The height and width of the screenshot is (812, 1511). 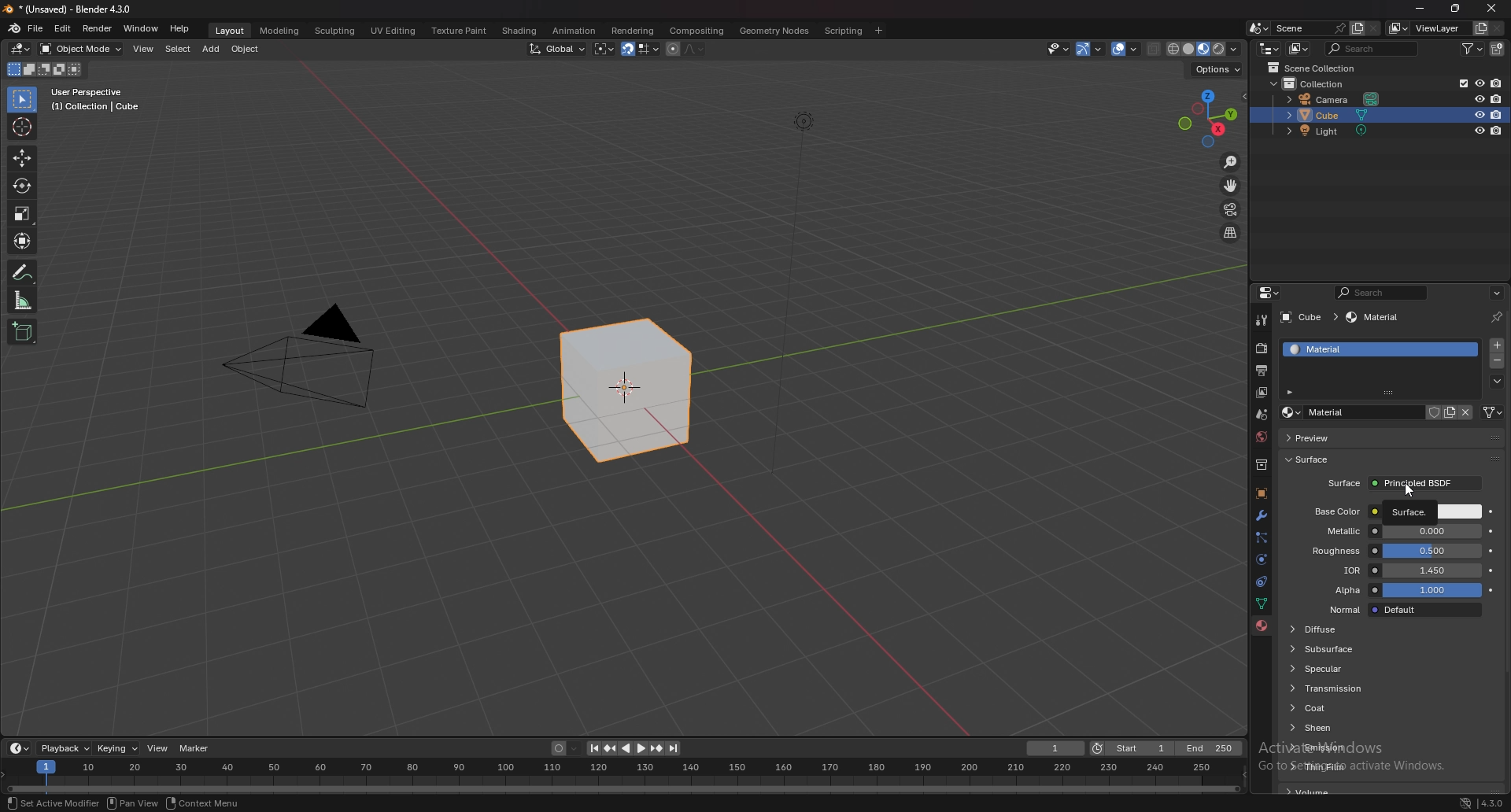 I want to click on fake user, so click(x=1431, y=412).